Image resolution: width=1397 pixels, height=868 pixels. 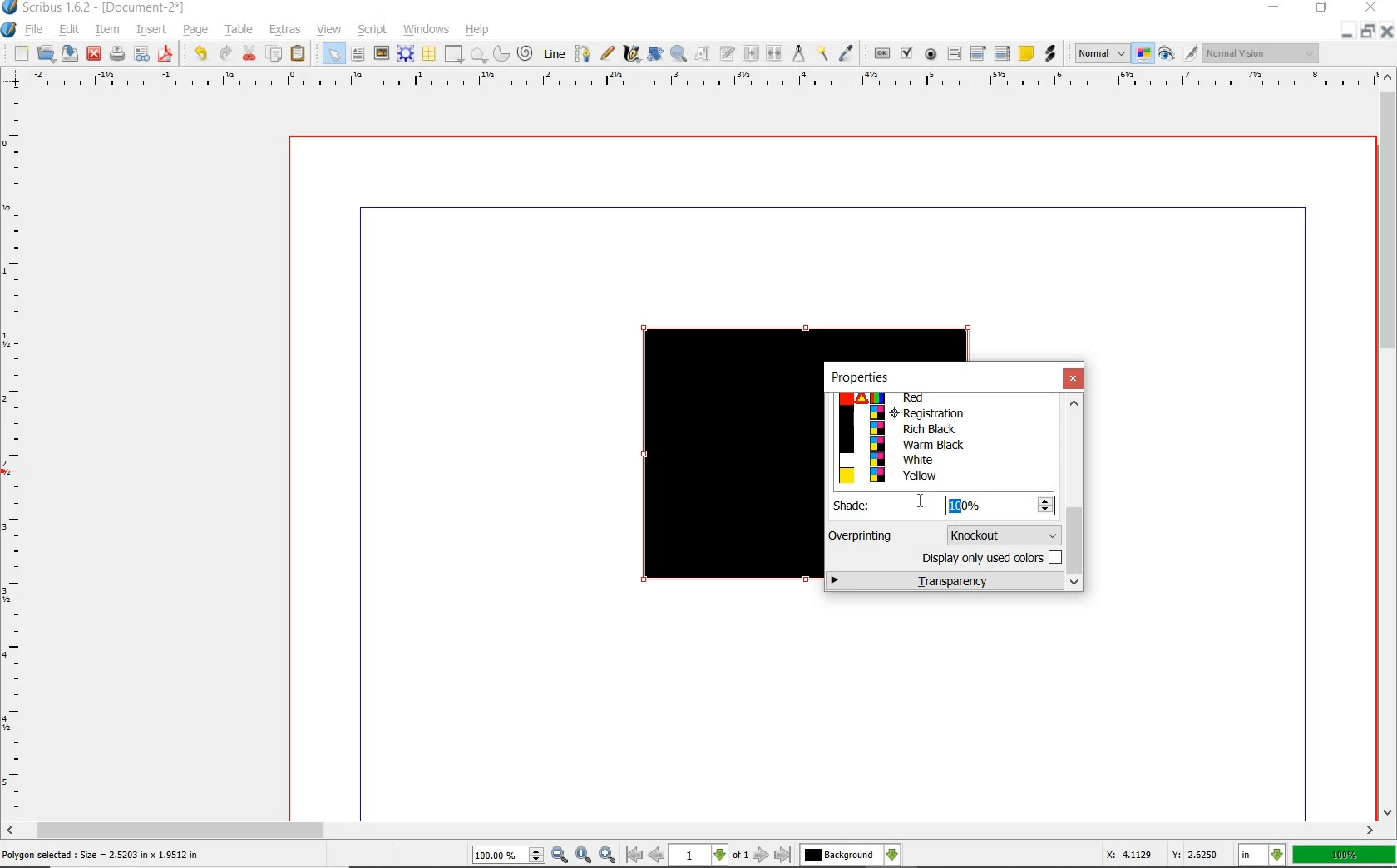 What do you see at coordinates (701, 54) in the screenshot?
I see `edit content of frame` at bounding box center [701, 54].